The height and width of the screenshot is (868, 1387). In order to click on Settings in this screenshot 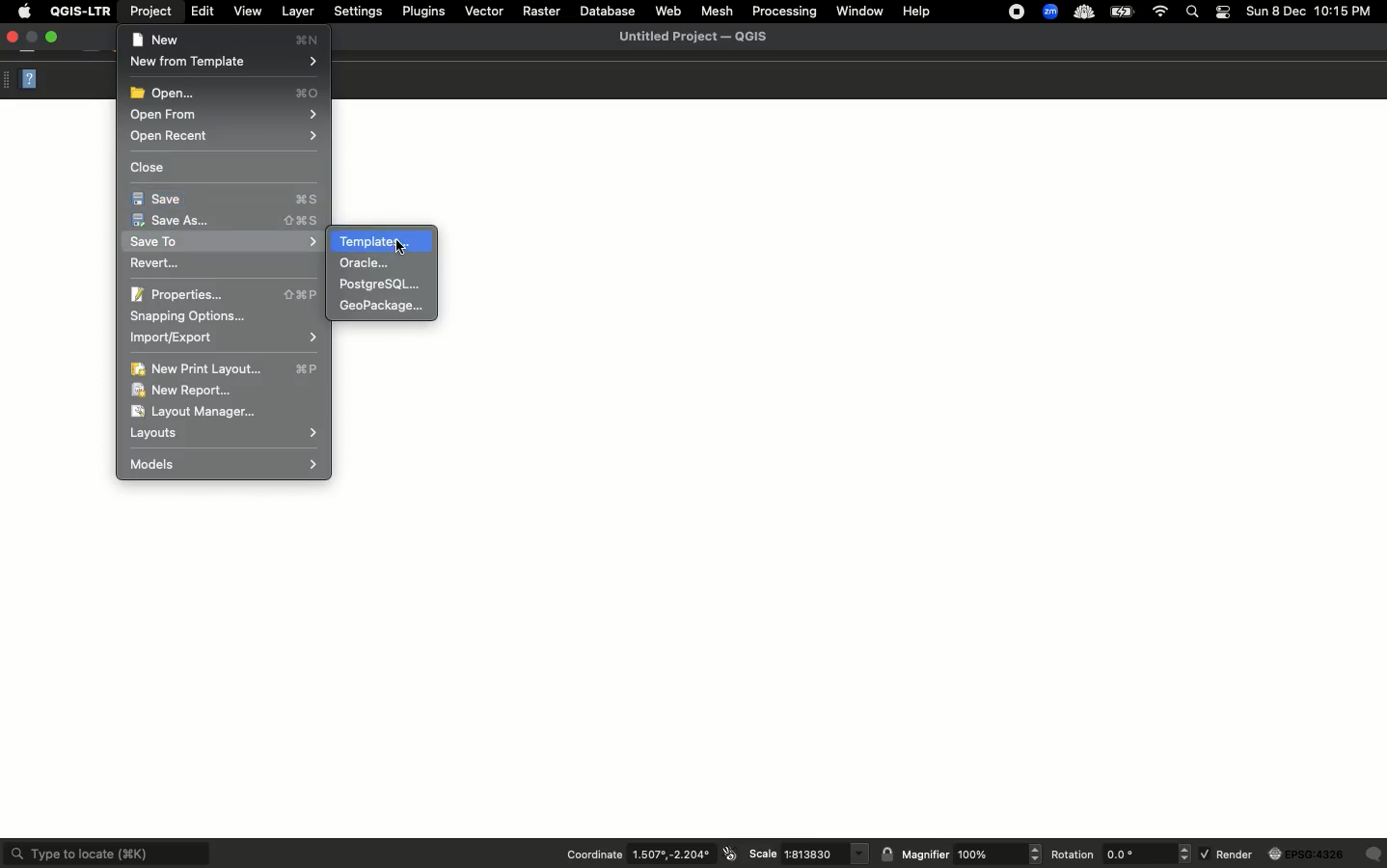, I will do `click(358, 11)`.